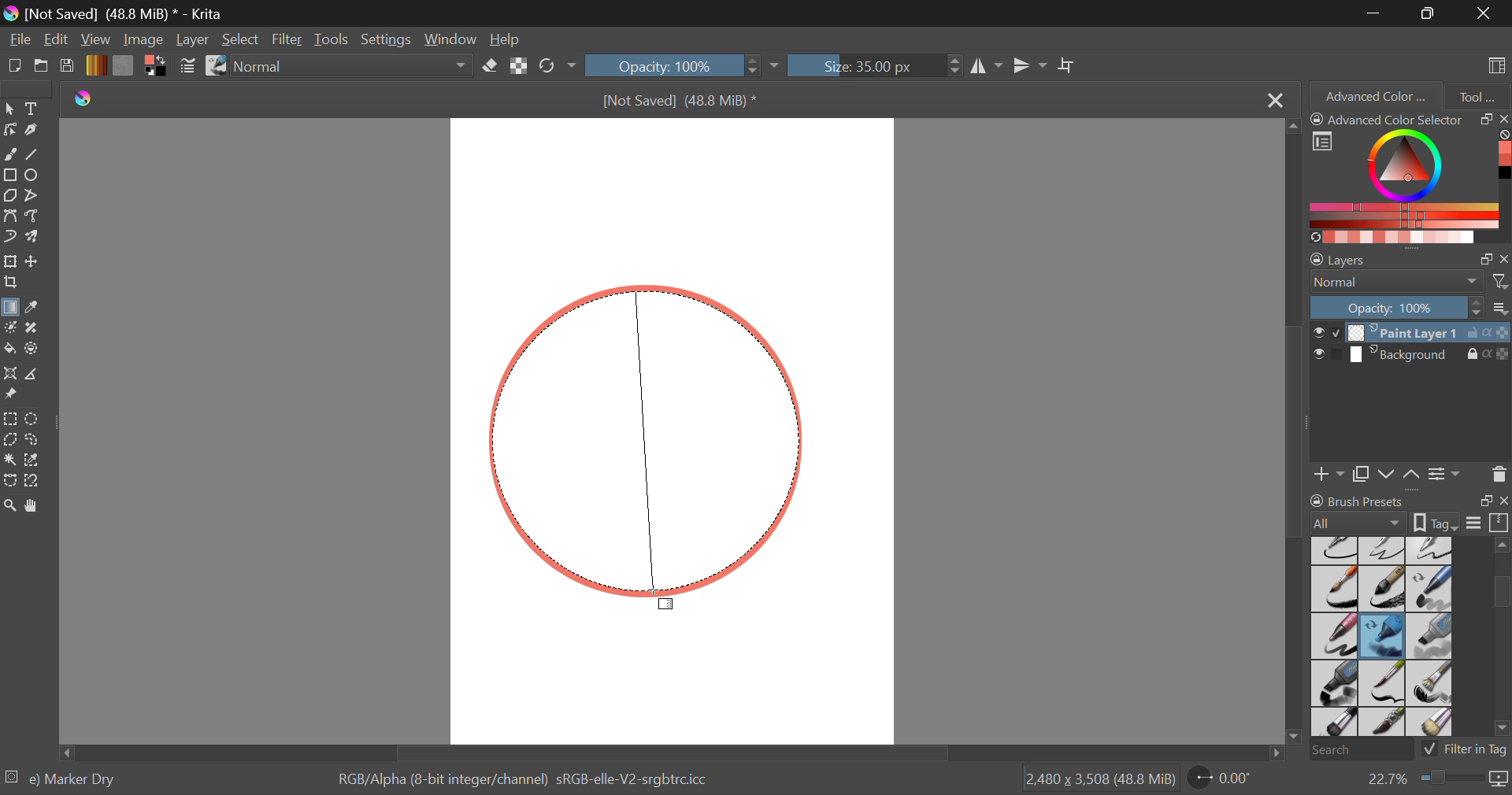 The width and height of the screenshot is (1512, 795). Describe the element at coordinates (1410, 307) in the screenshot. I see `Layer Opacity` at that location.